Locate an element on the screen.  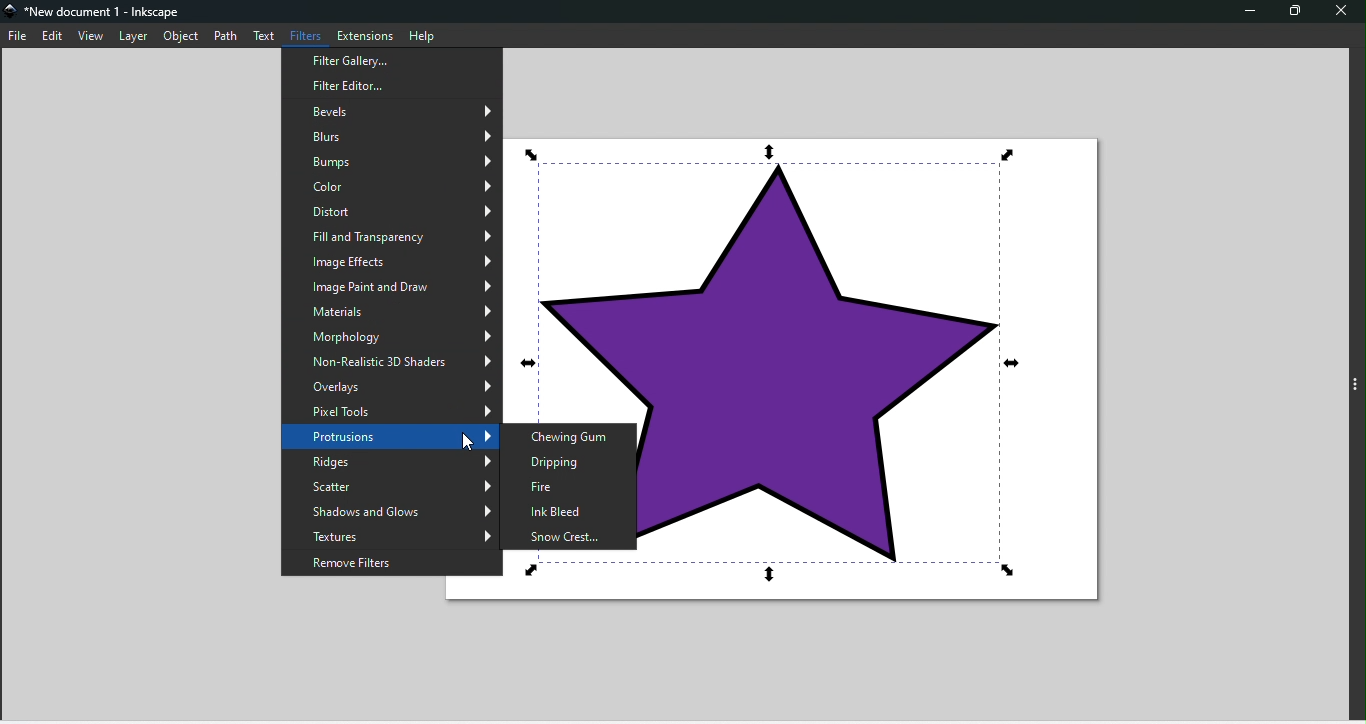
Blurs is located at coordinates (391, 134).